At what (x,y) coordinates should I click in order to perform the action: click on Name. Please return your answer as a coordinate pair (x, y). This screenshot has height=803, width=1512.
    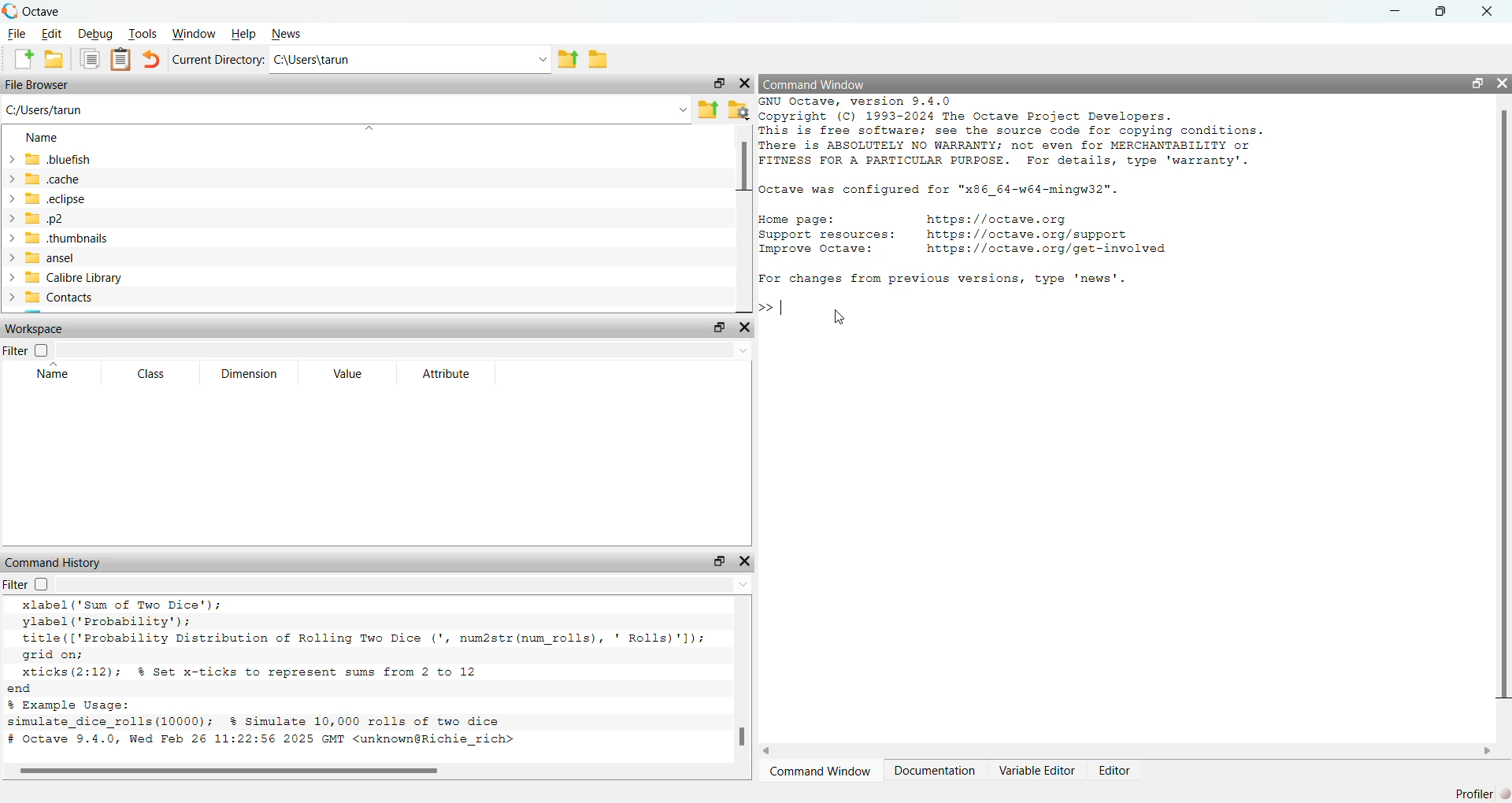
    Looking at the image, I should click on (39, 139).